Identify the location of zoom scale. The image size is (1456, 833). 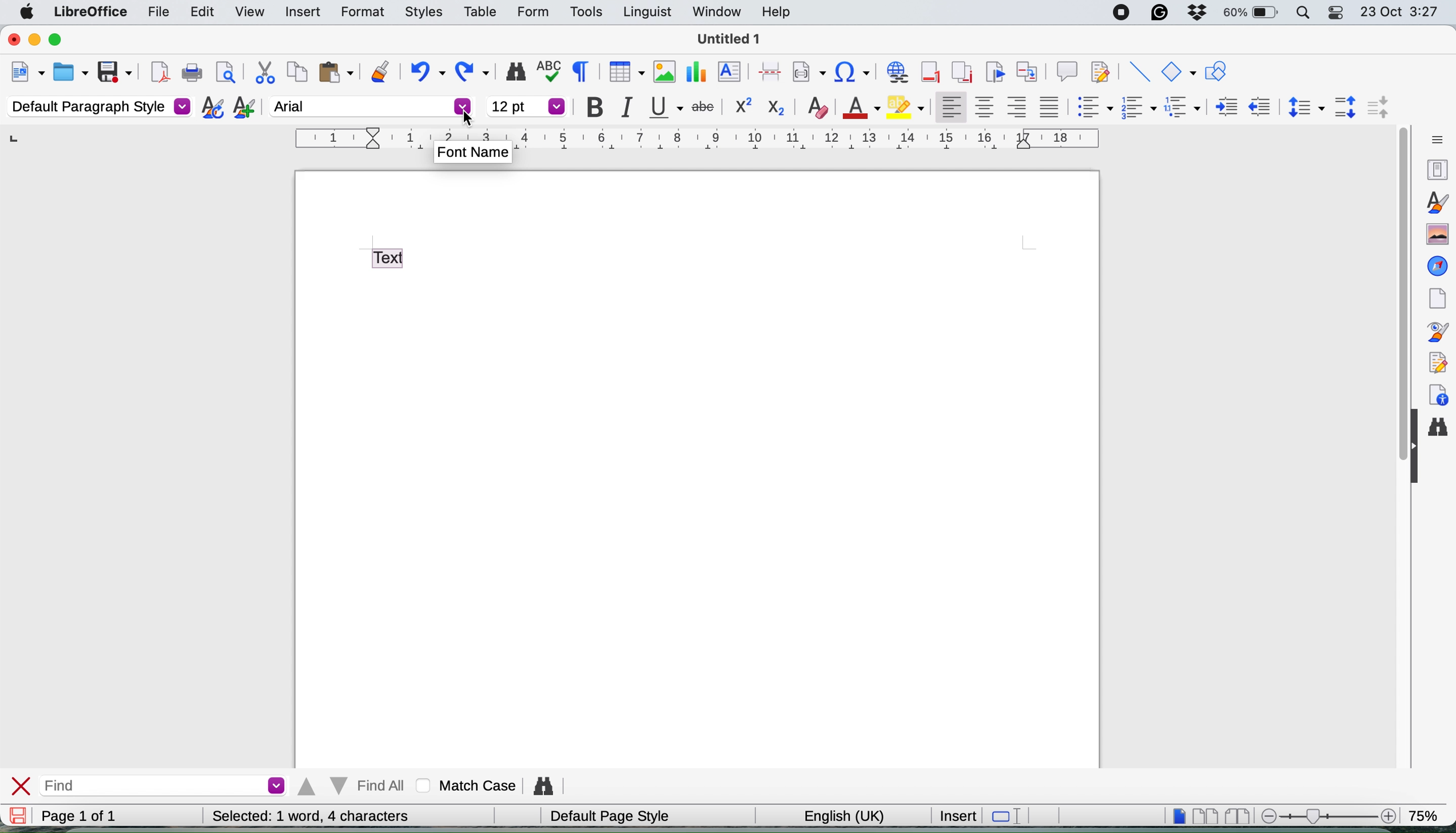
(1326, 815).